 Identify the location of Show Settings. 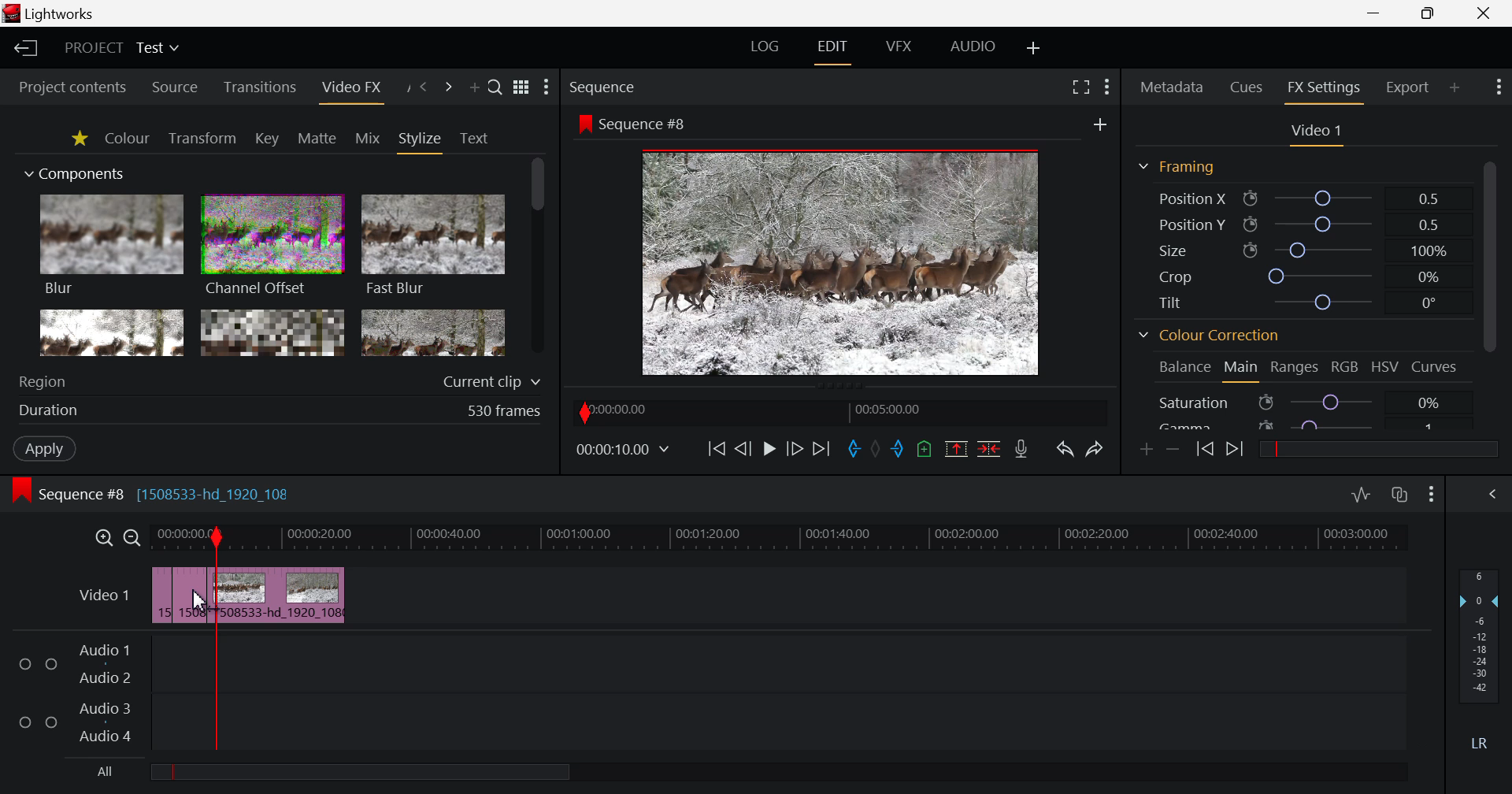
(1497, 89).